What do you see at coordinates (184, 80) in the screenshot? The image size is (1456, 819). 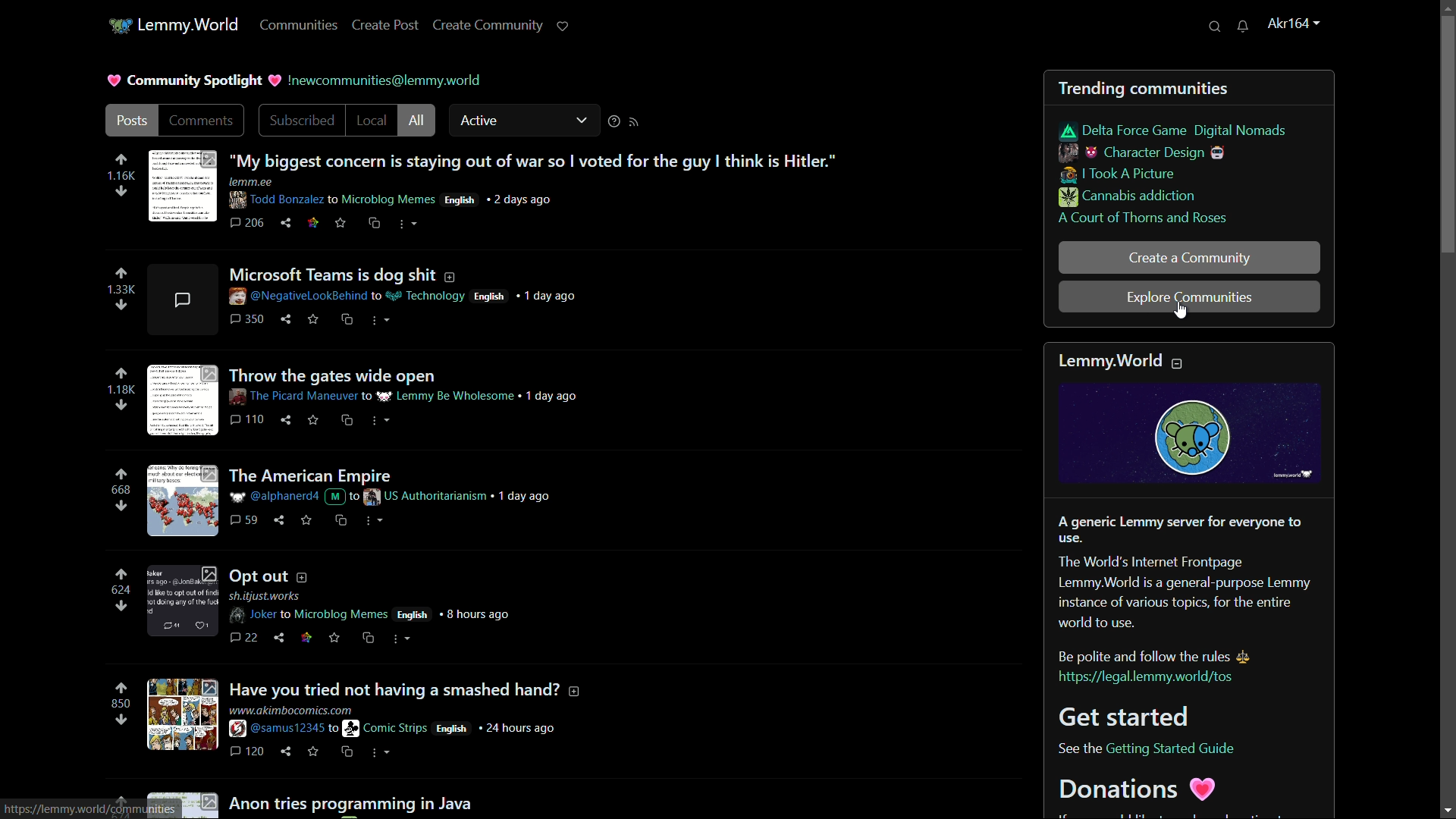 I see `community spotlight` at bounding box center [184, 80].